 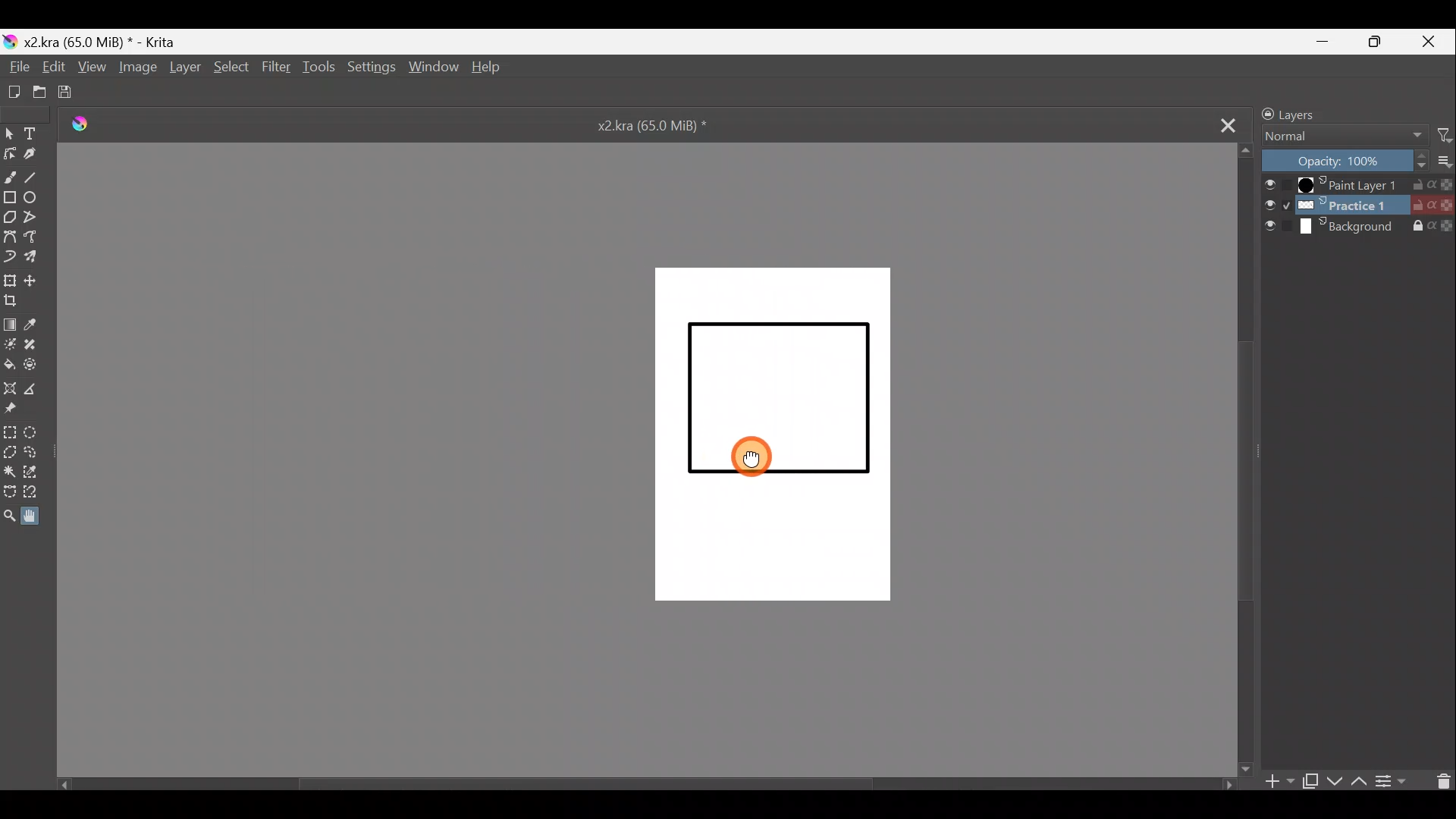 What do you see at coordinates (10, 387) in the screenshot?
I see `Assistant tool` at bounding box center [10, 387].